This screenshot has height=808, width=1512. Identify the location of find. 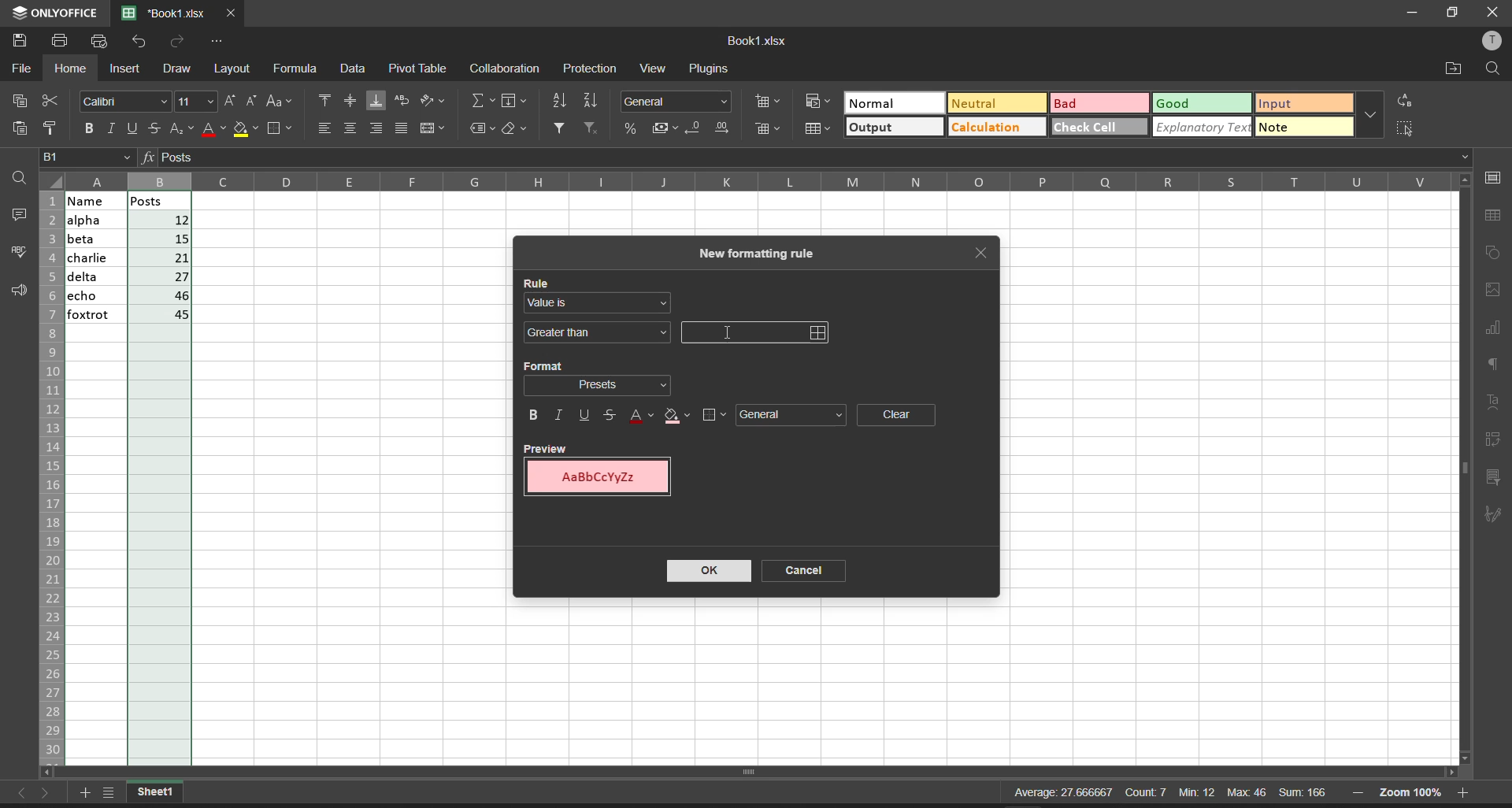
(1494, 68).